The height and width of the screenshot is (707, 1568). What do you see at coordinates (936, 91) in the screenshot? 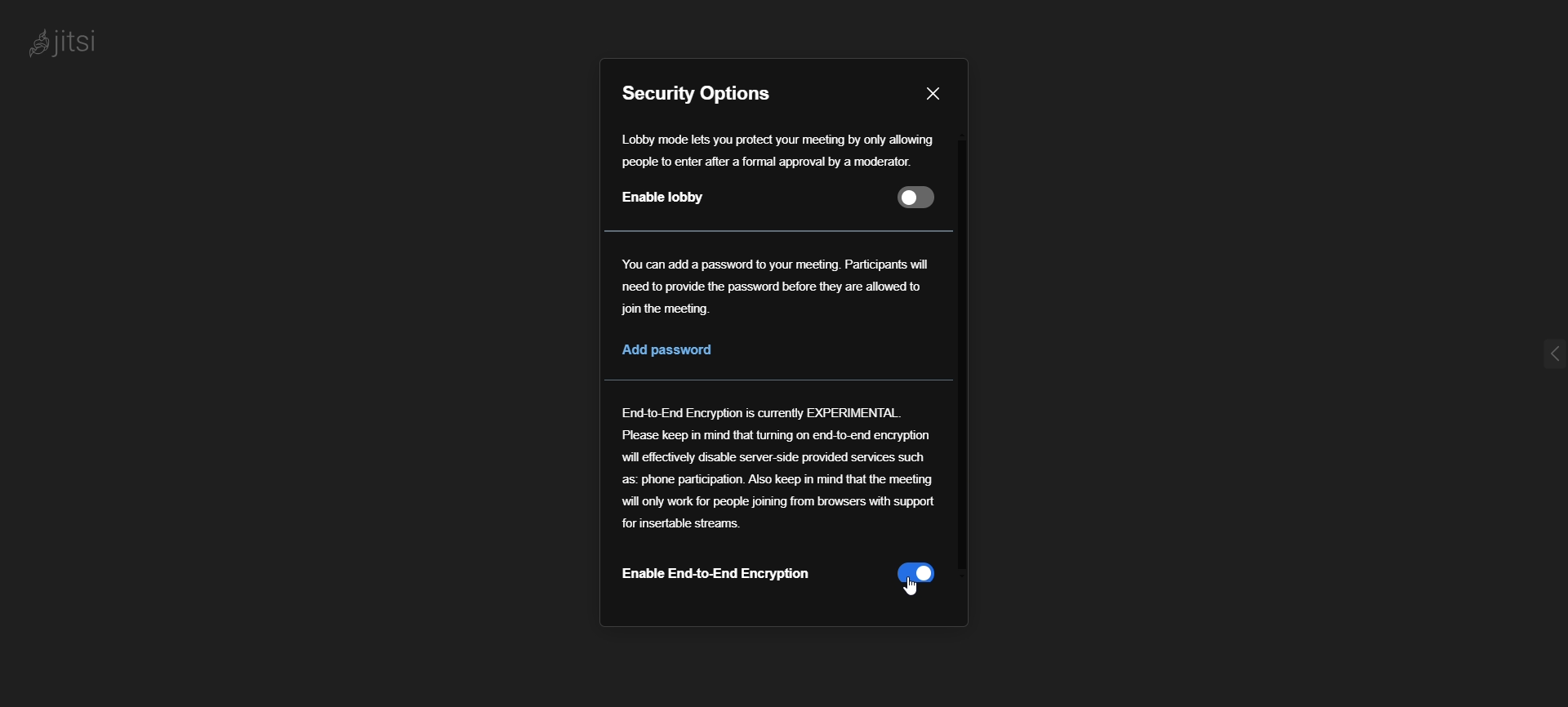
I see `close` at bounding box center [936, 91].